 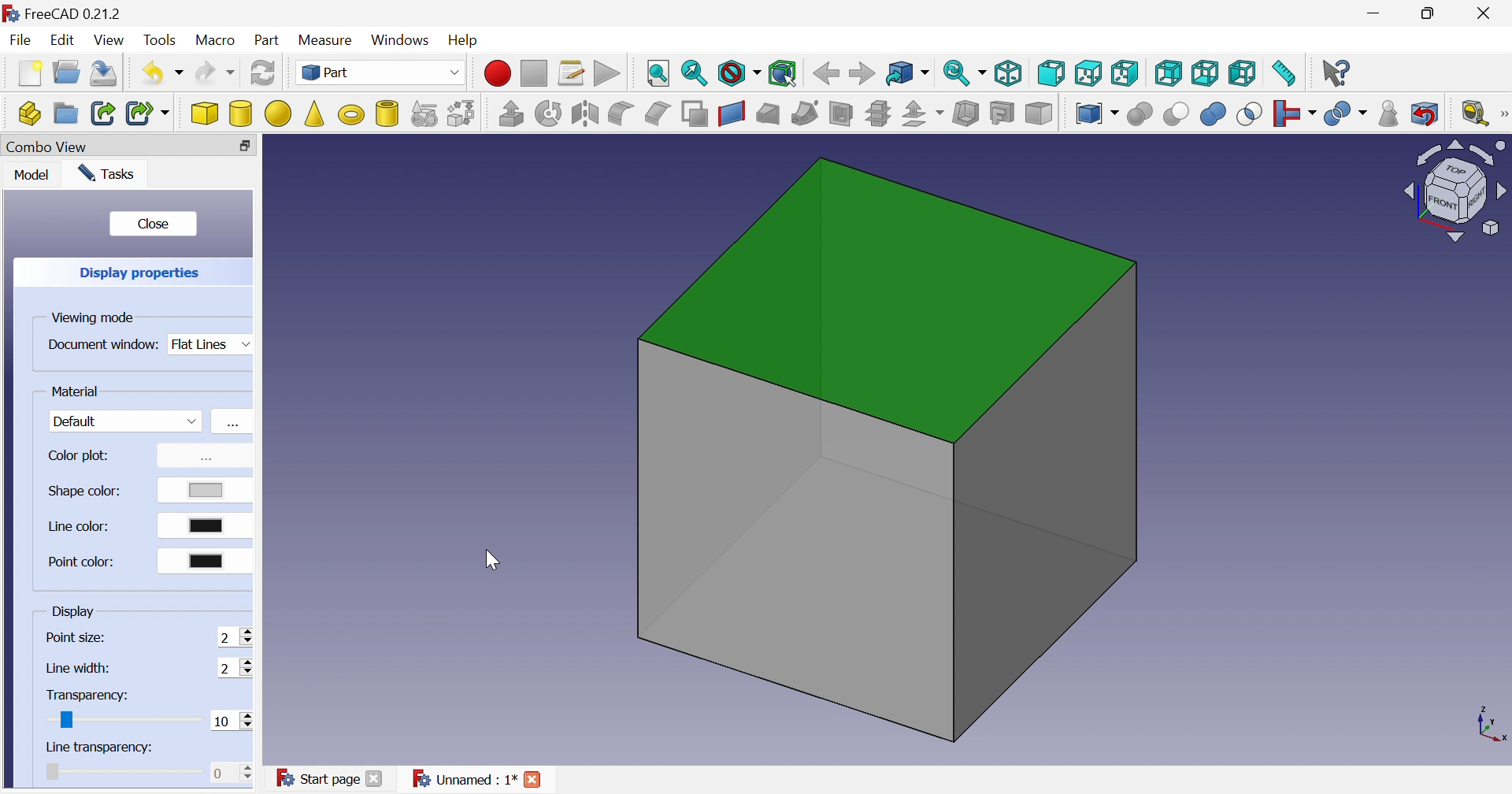 I want to click on Make face from wires, so click(x=695, y=114).